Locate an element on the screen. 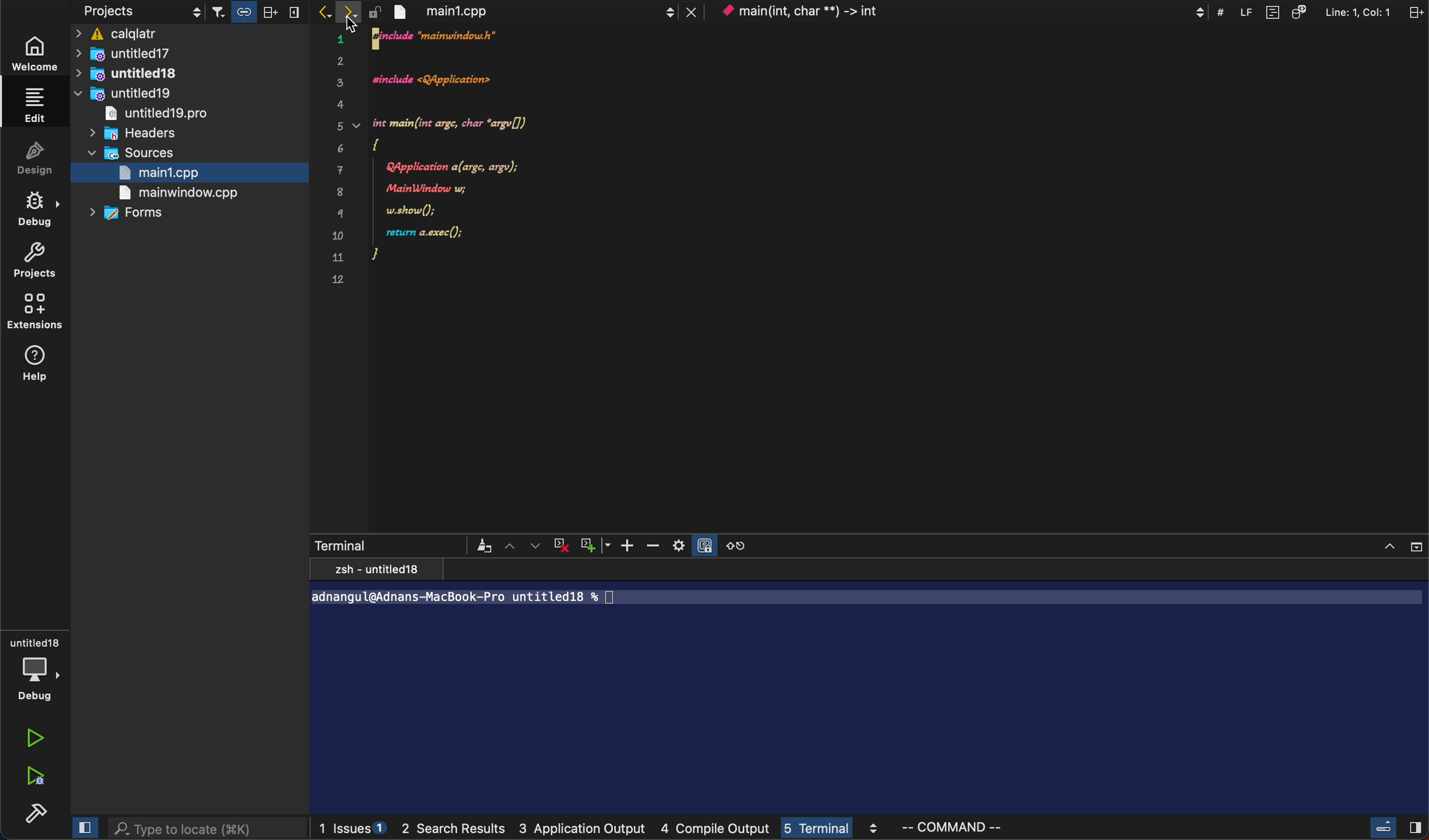 Image resolution: width=1429 pixels, height=840 pixels. forms is located at coordinates (122, 215).